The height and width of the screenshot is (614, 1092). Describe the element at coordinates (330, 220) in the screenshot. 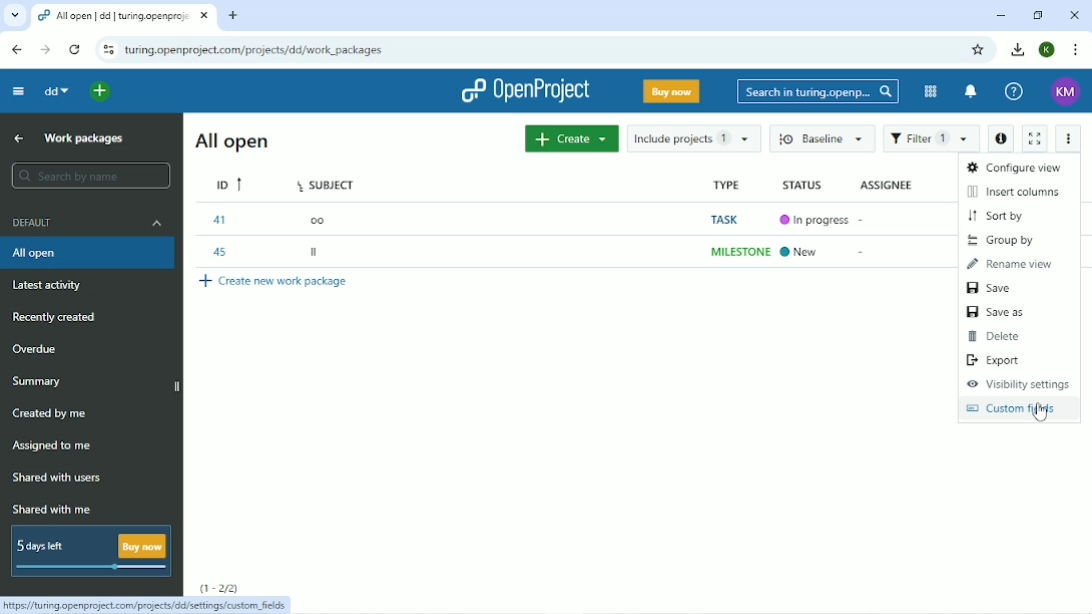

I see `Subject` at that location.